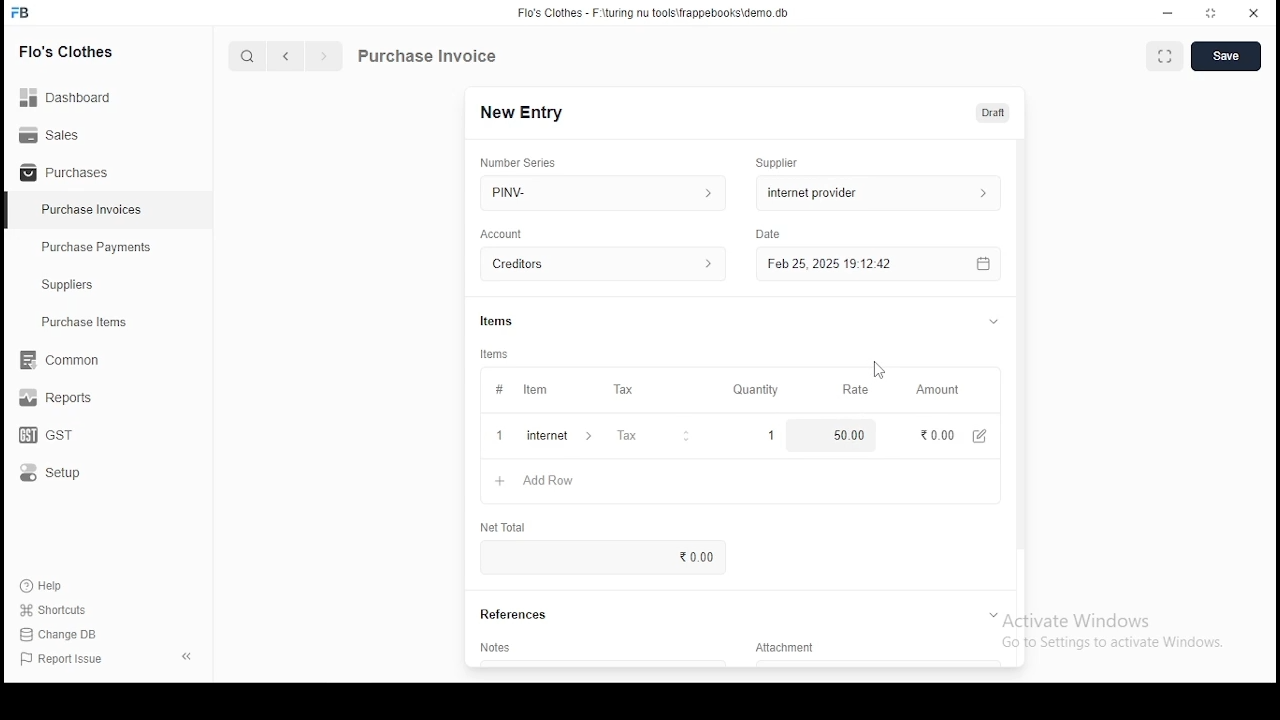 The height and width of the screenshot is (720, 1280). Describe the element at coordinates (756, 390) in the screenshot. I see `quality` at that location.